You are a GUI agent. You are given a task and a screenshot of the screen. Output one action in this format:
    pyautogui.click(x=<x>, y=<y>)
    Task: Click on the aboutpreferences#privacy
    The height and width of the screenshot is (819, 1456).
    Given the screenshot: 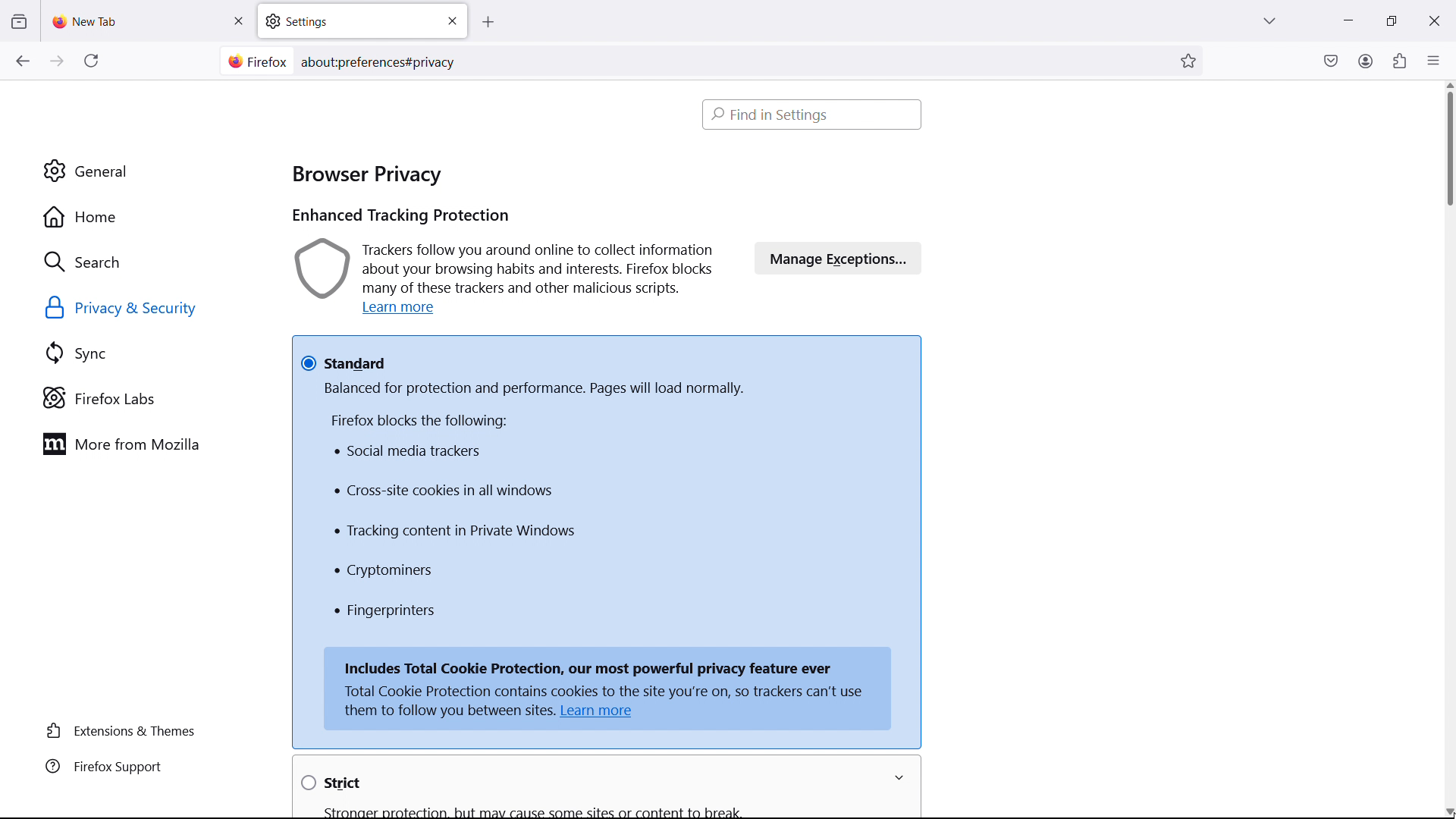 What is the action you would take?
    pyautogui.click(x=384, y=59)
    